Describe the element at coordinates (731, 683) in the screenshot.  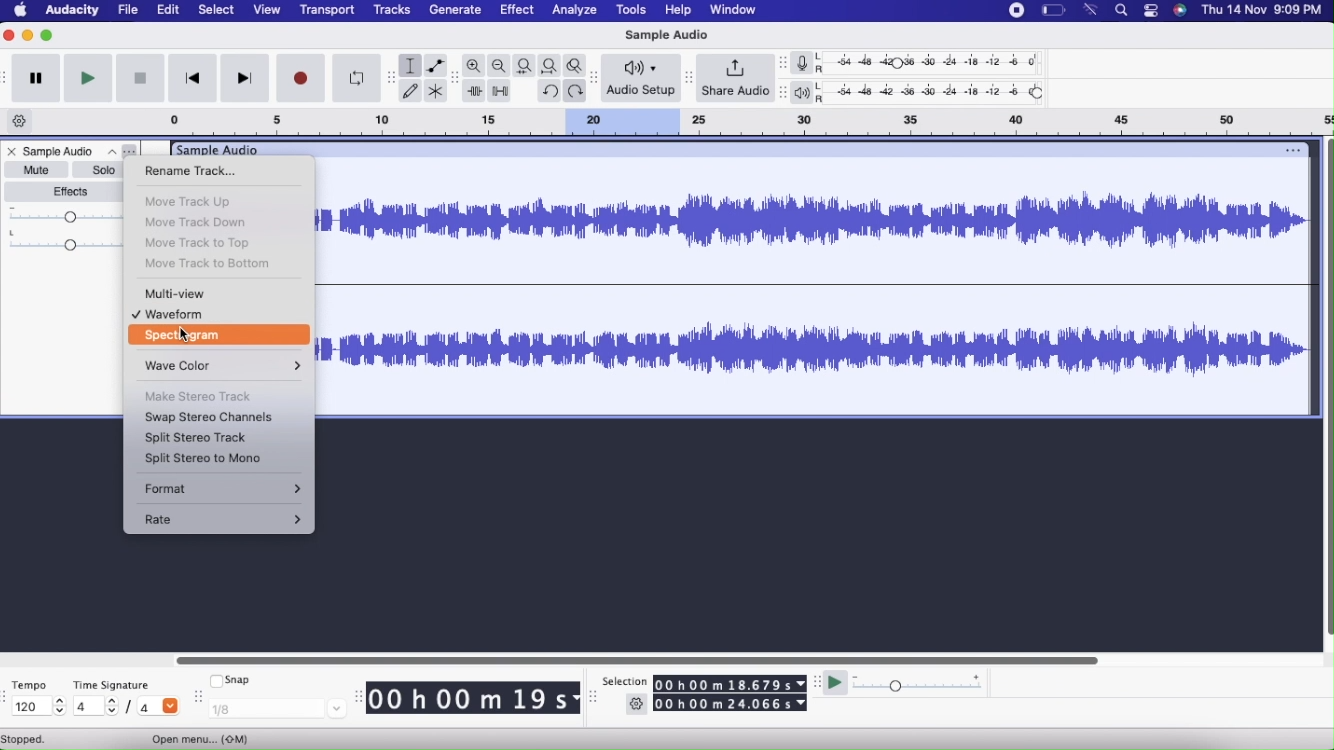
I see `00 h 00 m 18.679 s` at that location.